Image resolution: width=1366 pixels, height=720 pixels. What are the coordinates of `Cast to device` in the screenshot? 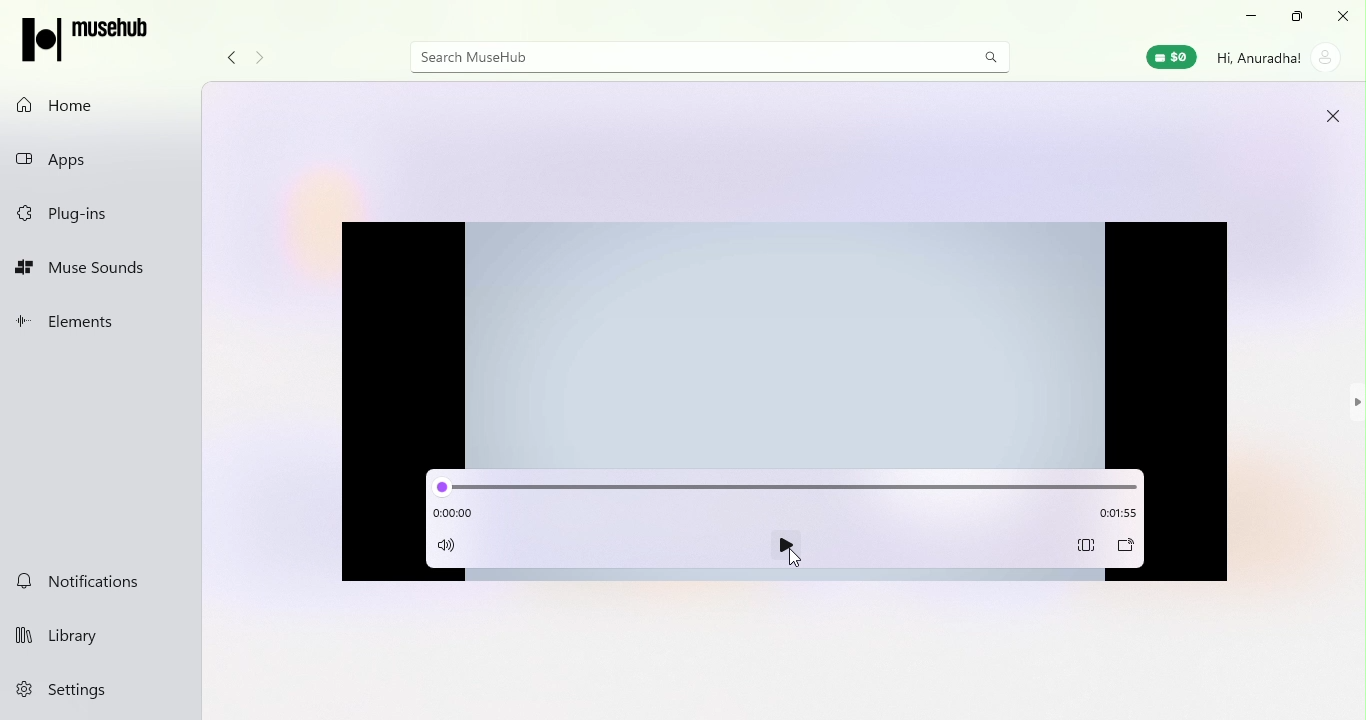 It's located at (1124, 547).